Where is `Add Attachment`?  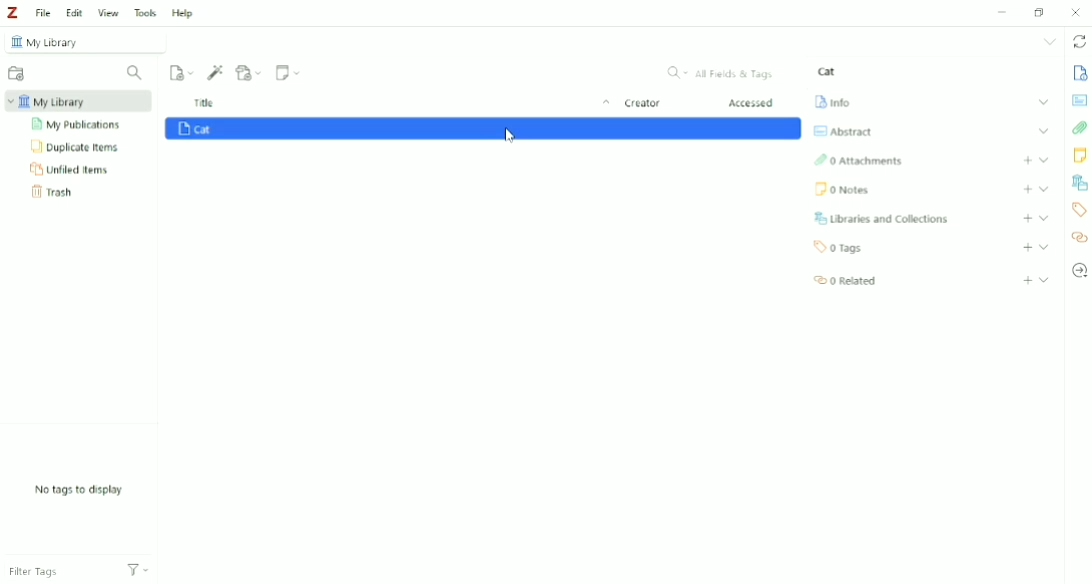
Add Attachment is located at coordinates (249, 72).